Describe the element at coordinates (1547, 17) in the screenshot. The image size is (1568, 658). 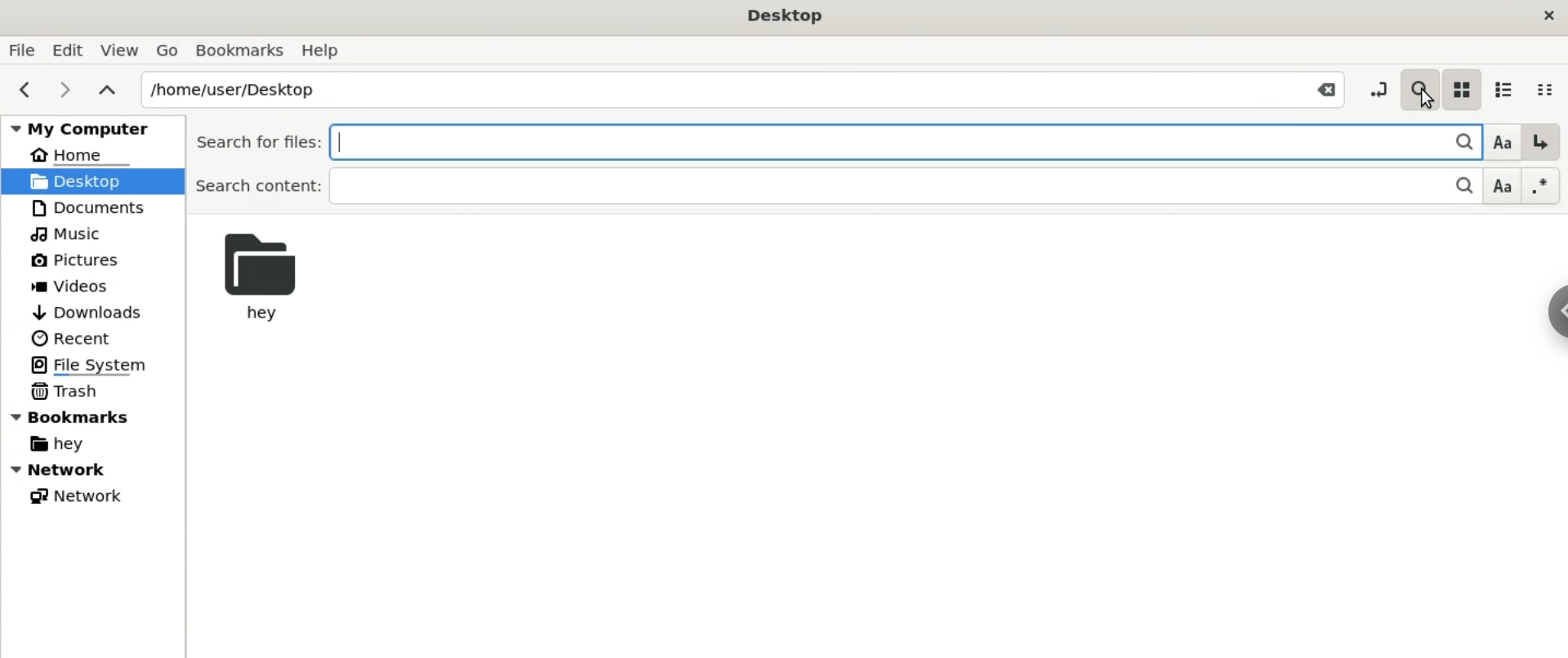
I see `close` at that location.